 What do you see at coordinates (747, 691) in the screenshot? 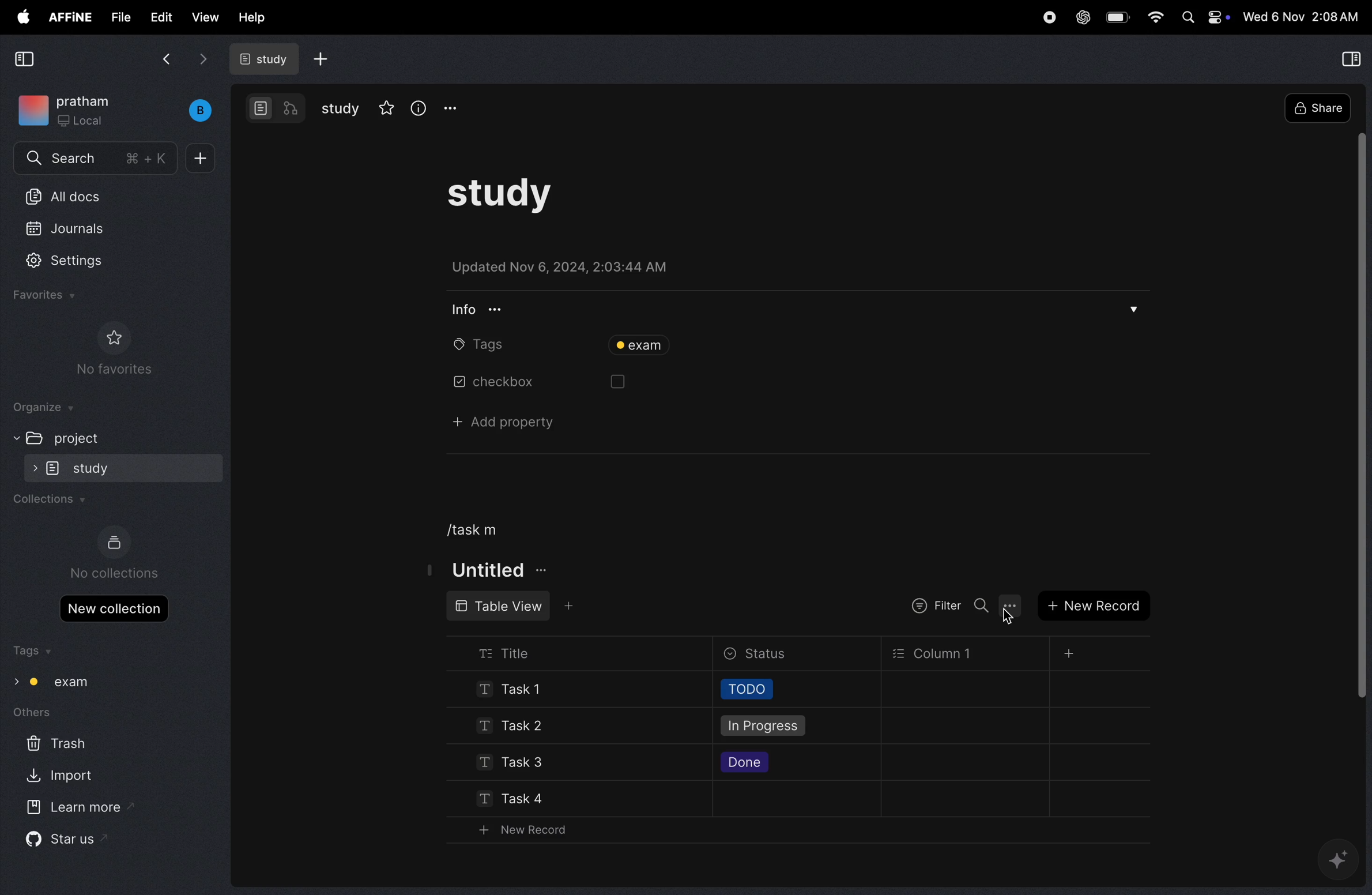
I see `todo` at bounding box center [747, 691].